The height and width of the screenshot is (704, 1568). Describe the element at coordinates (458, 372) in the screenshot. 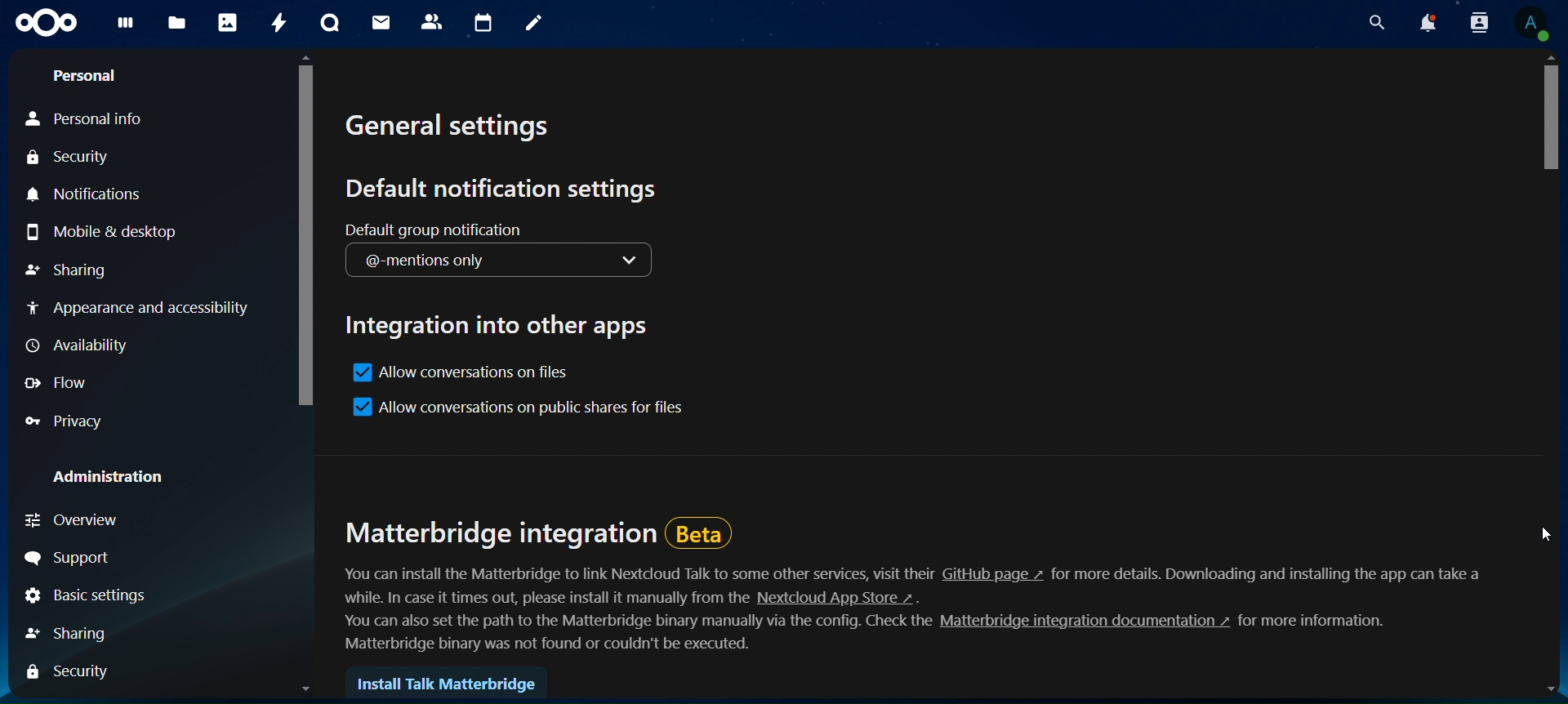

I see `allow conversations on files` at that location.